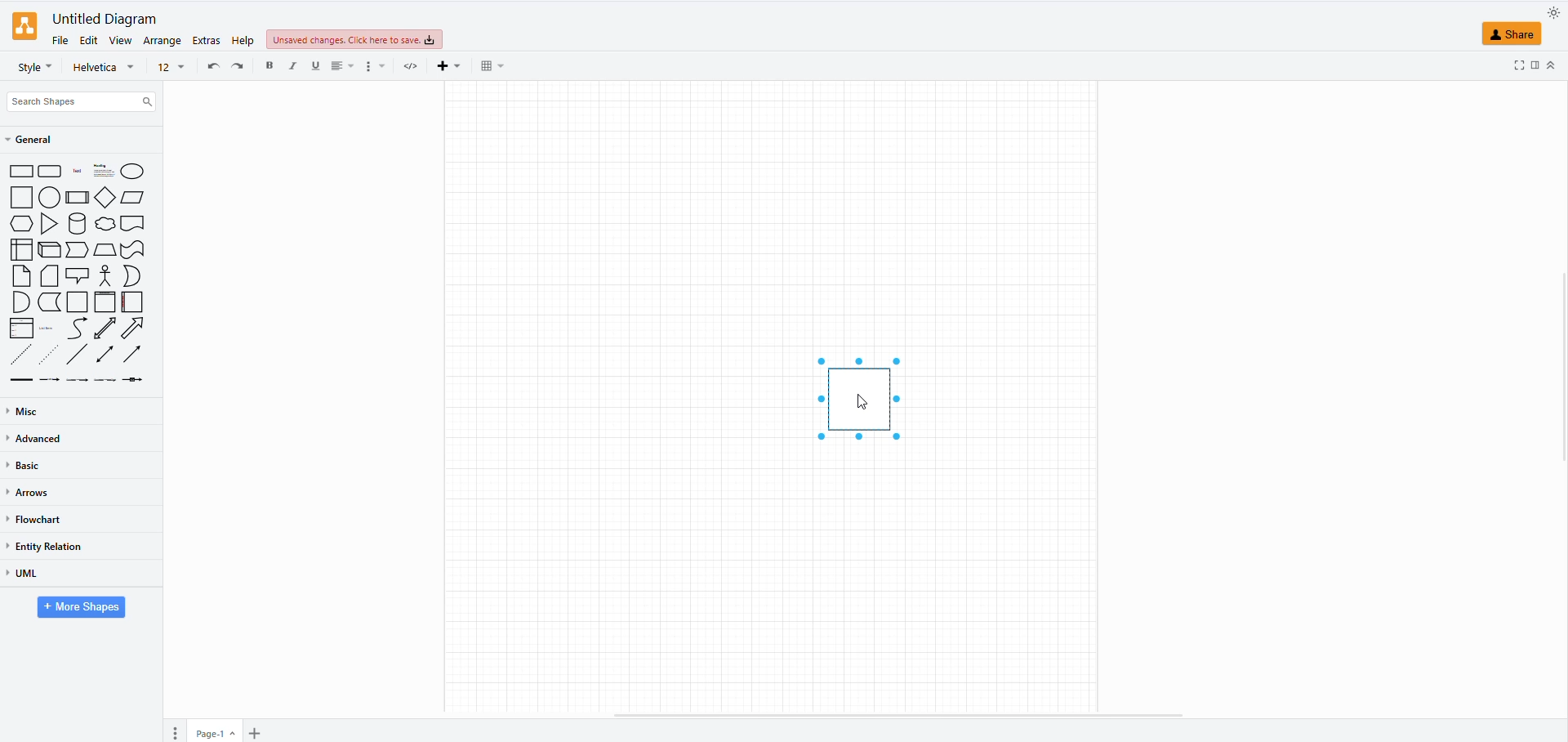  Describe the element at coordinates (492, 65) in the screenshot. I see `table` at that location.